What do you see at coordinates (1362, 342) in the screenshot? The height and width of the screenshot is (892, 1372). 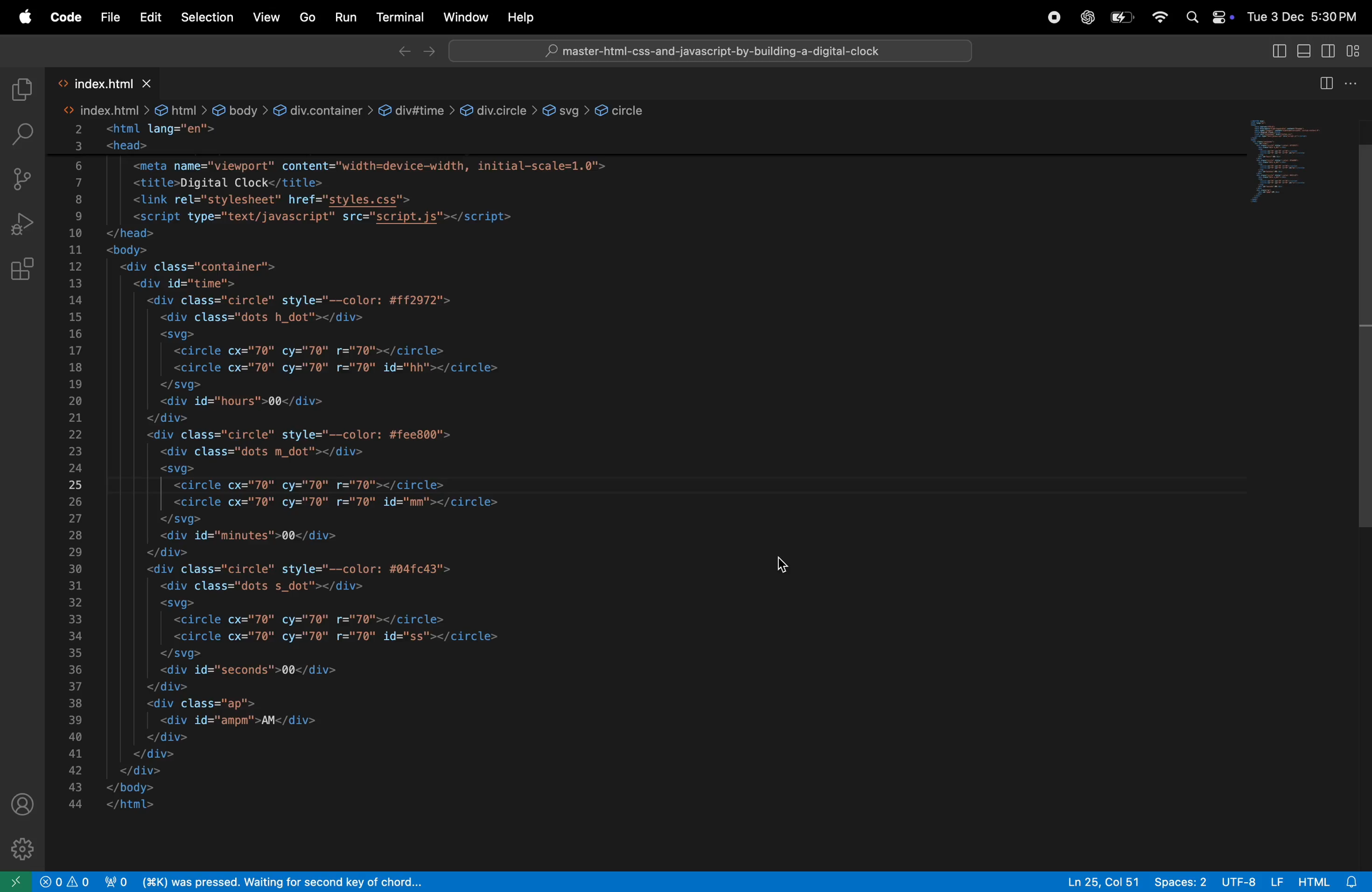 I see `Scroll bar` at bounding box center [1362, 342].